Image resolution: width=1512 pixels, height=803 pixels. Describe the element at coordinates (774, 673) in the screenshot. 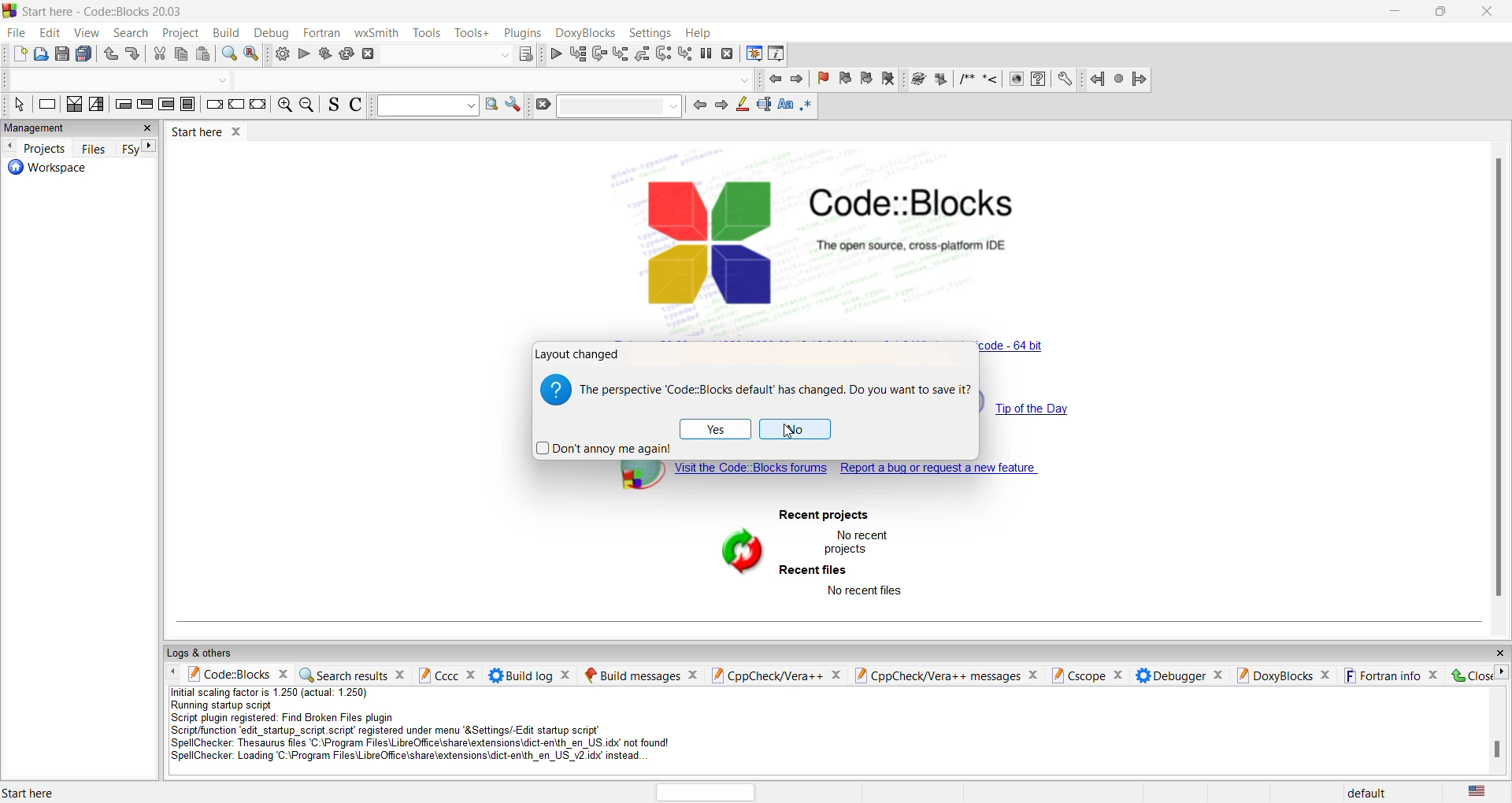

I see `cpp check pane` at that location.